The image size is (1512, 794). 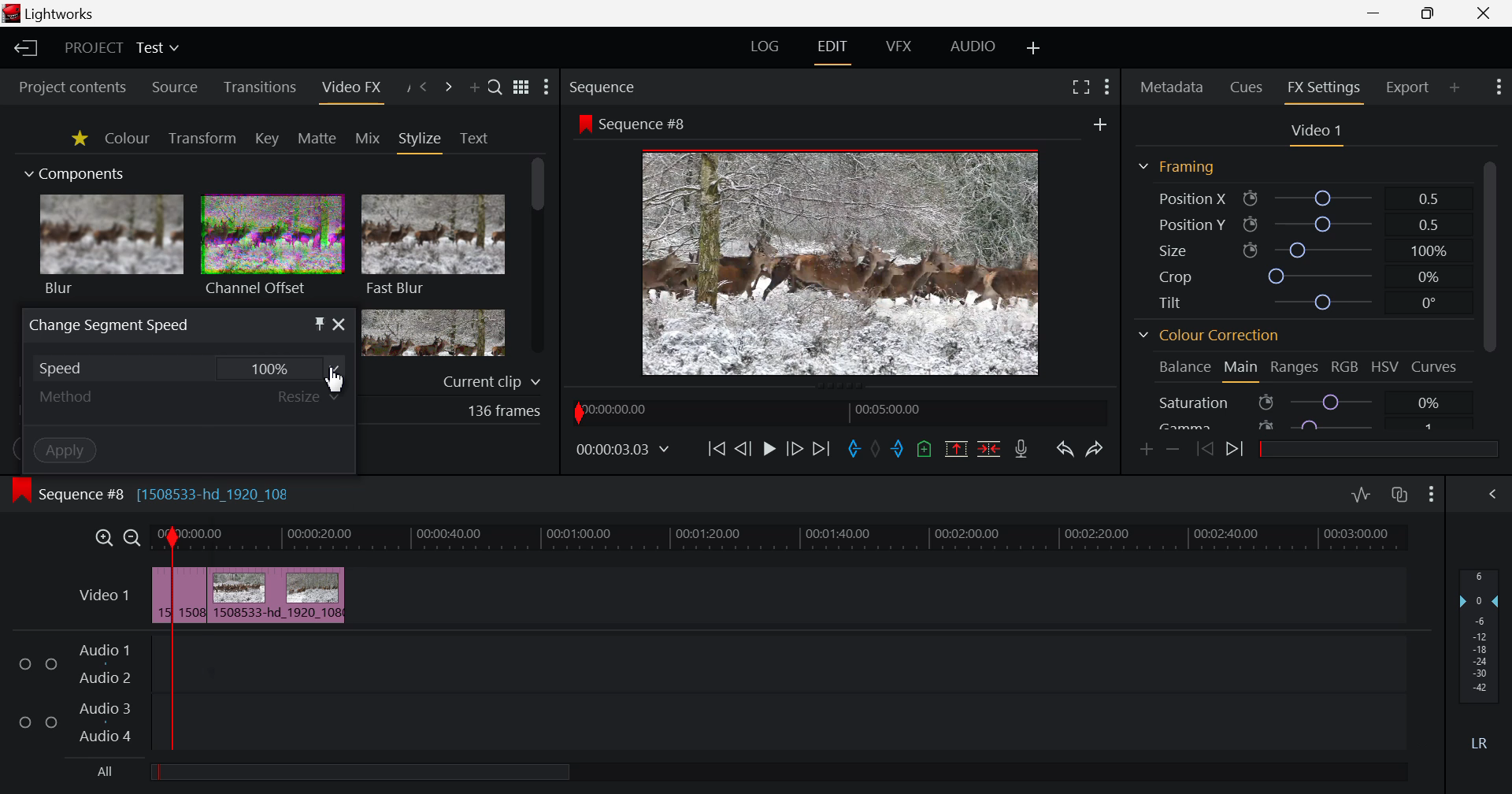 I want to click on Add Panel, so click(x=474, y=87).